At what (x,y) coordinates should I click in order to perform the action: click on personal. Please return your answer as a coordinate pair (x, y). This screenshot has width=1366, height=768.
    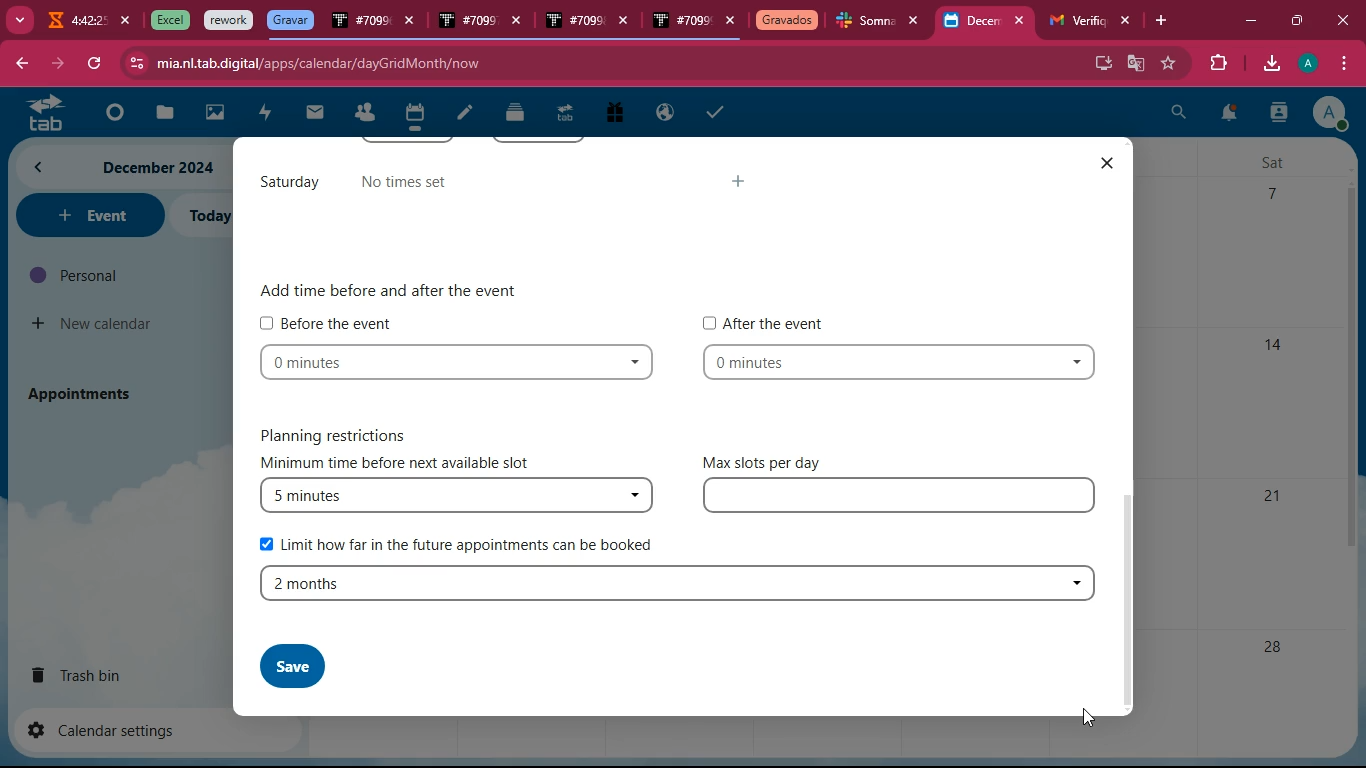
    Looking at the image, I should click on (116, 275).